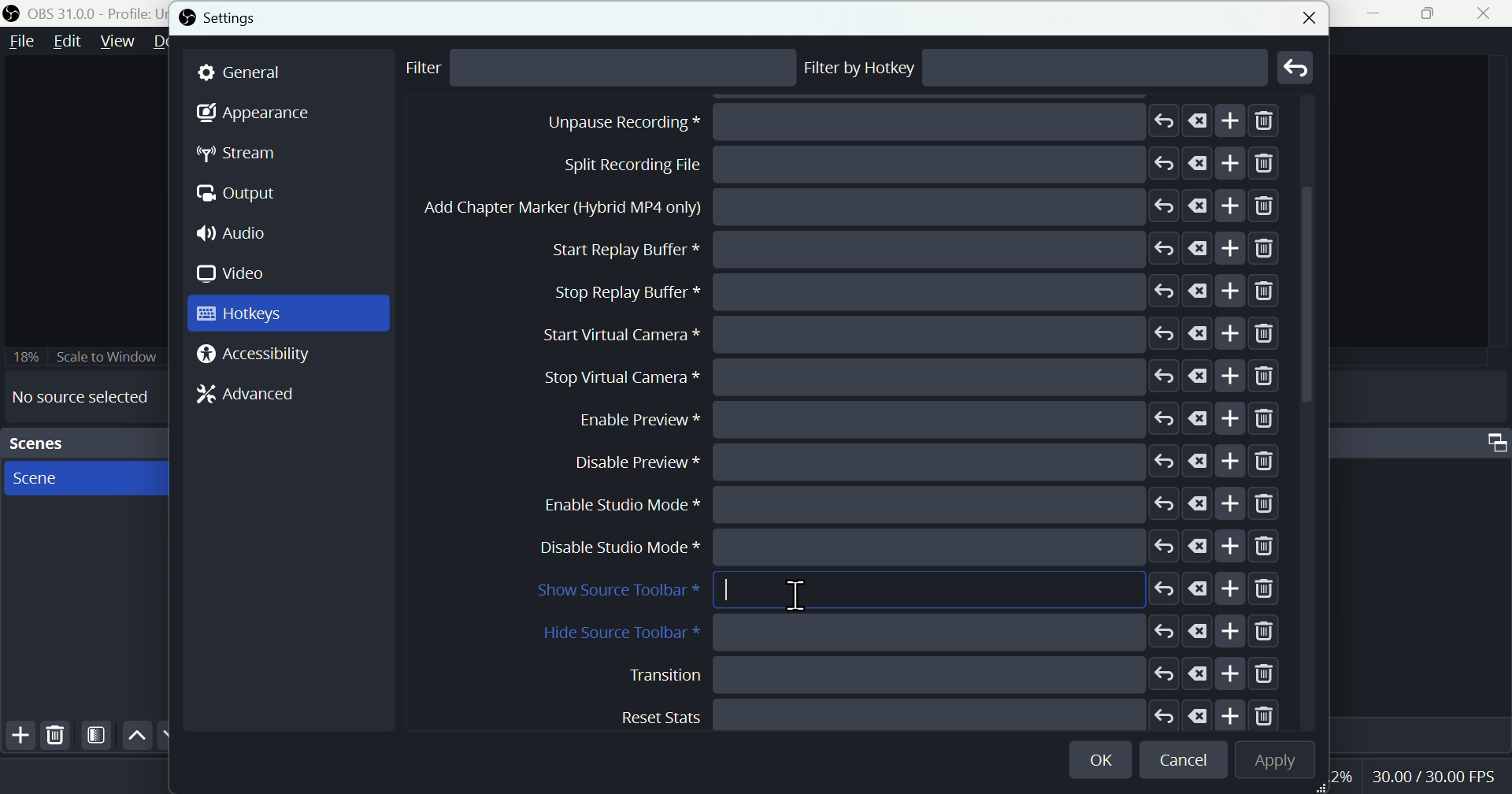 The width and height of the screenshot is (1512, 794). Describe the element at coordinates (886, 165) in the screenshot. I see `Start recording` at that location.